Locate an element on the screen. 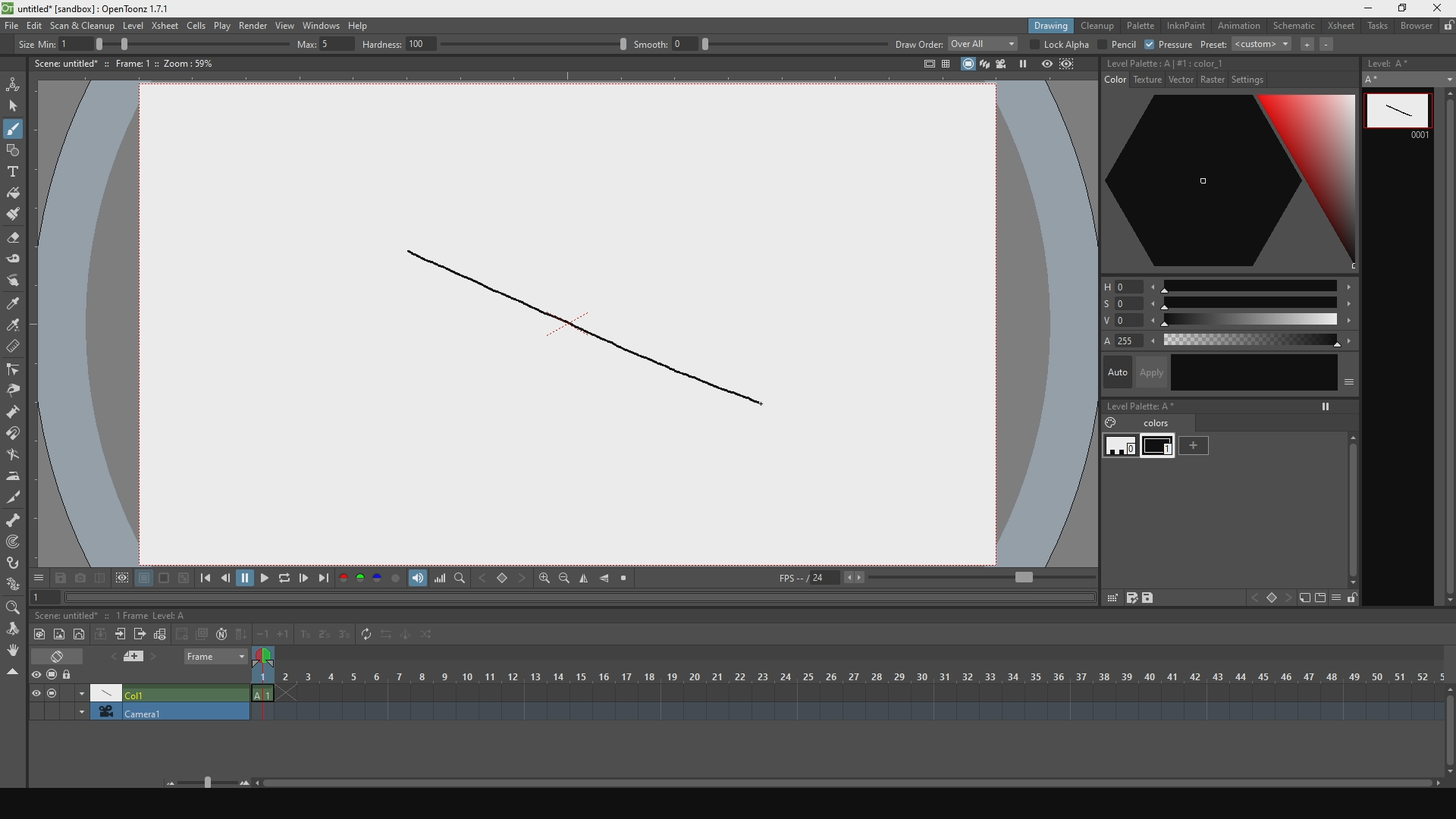 The image size is (1456, 819). scene untitled is located at coordinates (70, 613).